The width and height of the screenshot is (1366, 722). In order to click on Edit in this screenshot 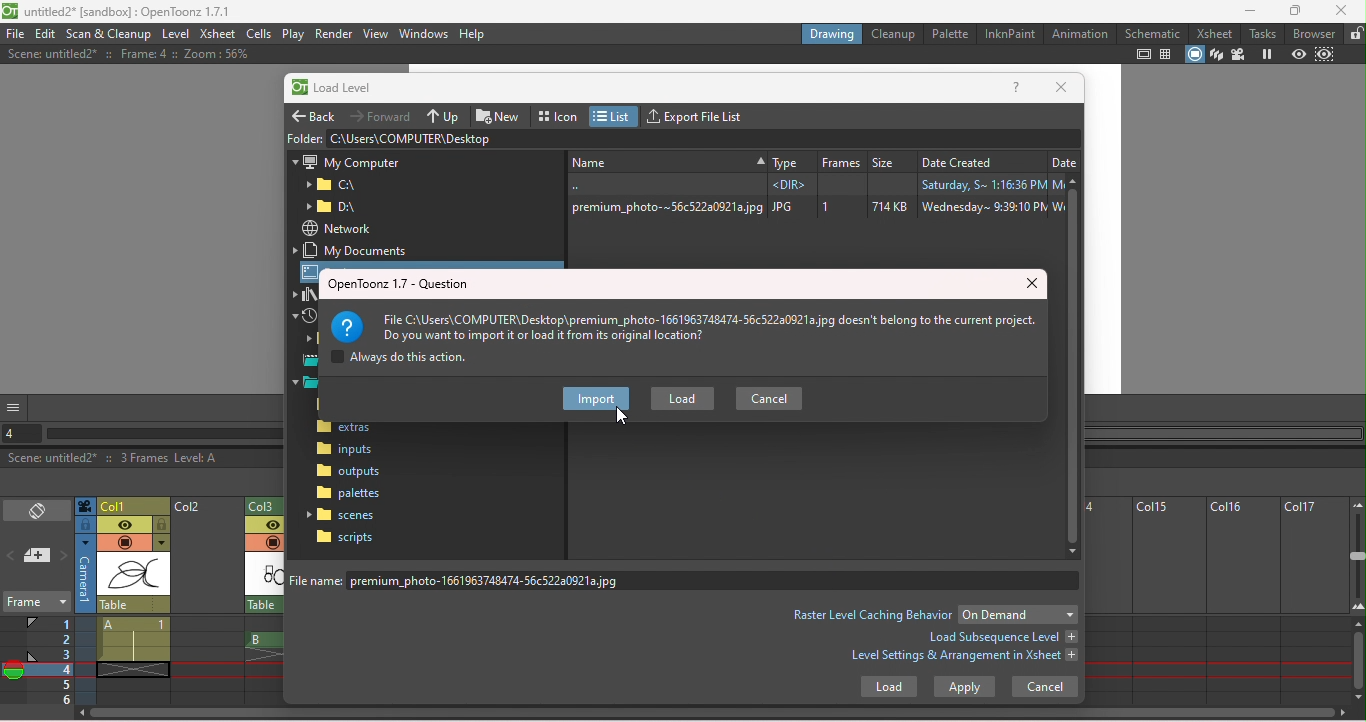, I will do `click(47, 34)`.